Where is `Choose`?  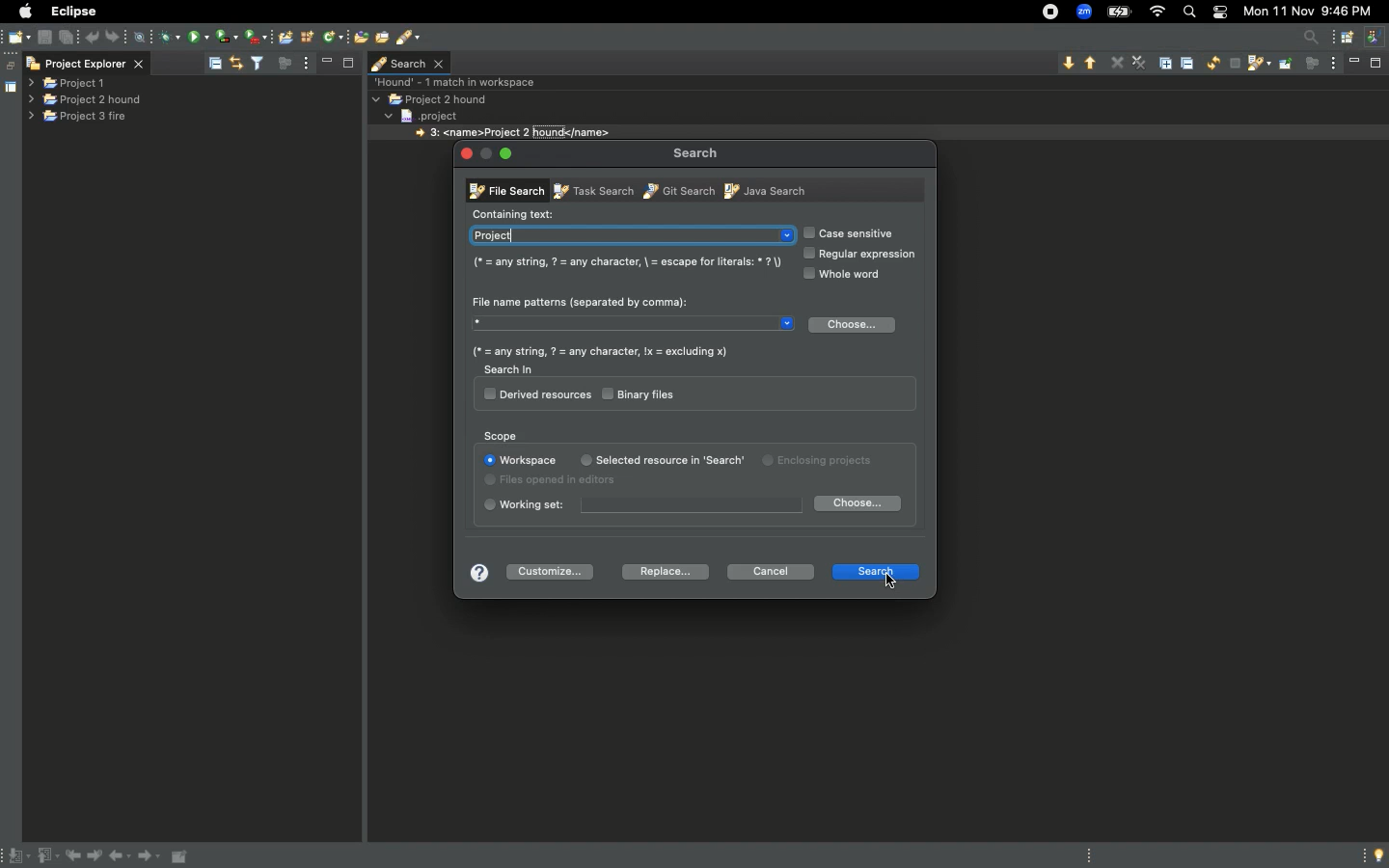
Choose is located at coordinates (854, 326).